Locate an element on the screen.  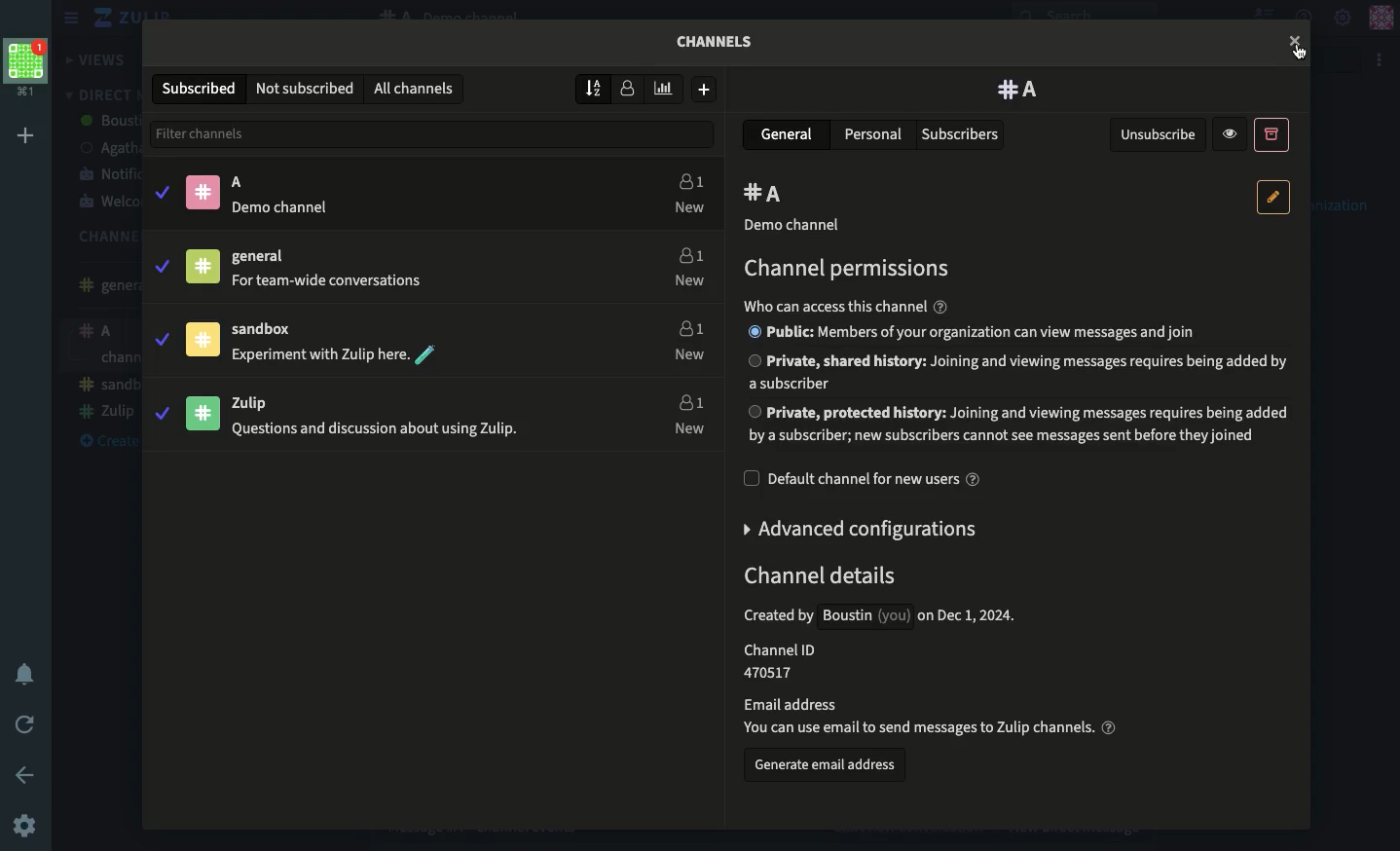
text is located at coordinates (835, 307).